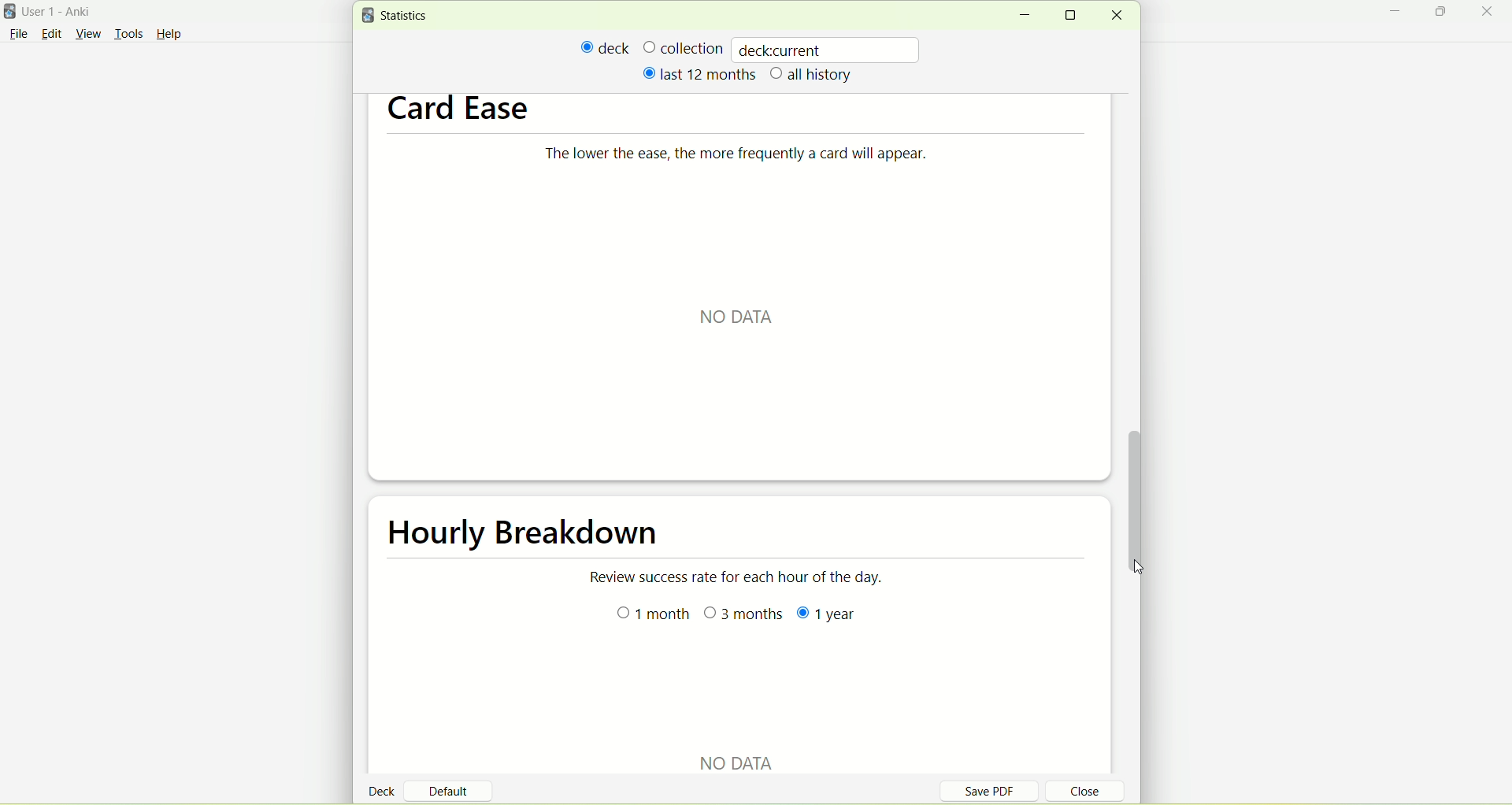 This screenshot has height=805, width=1512. What do you see at coordinates (999, 790) in the screenshot?
I see `save PDF` at bounding box center [999, 790].